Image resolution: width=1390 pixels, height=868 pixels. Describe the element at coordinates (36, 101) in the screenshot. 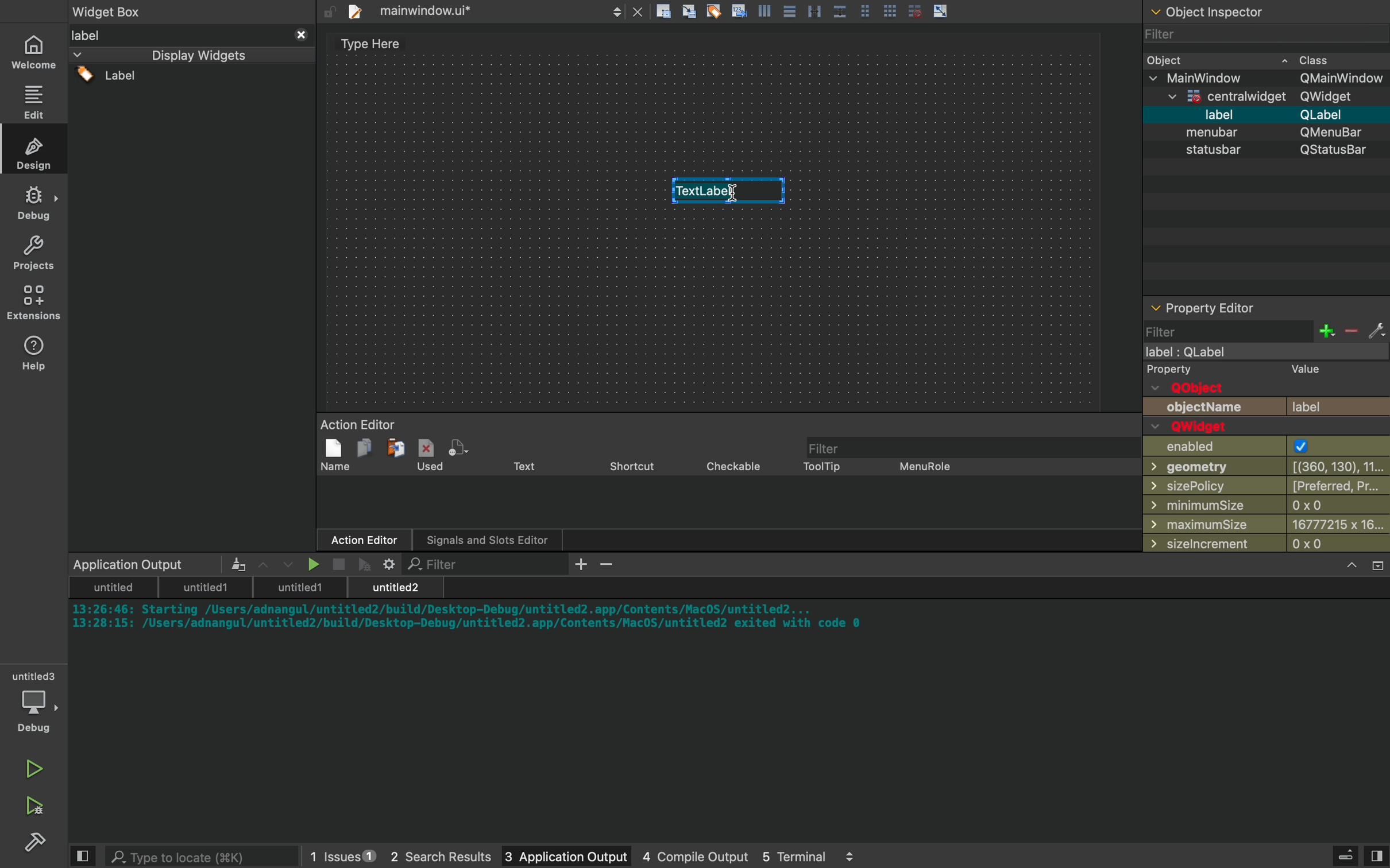

I see `edit` at that location.